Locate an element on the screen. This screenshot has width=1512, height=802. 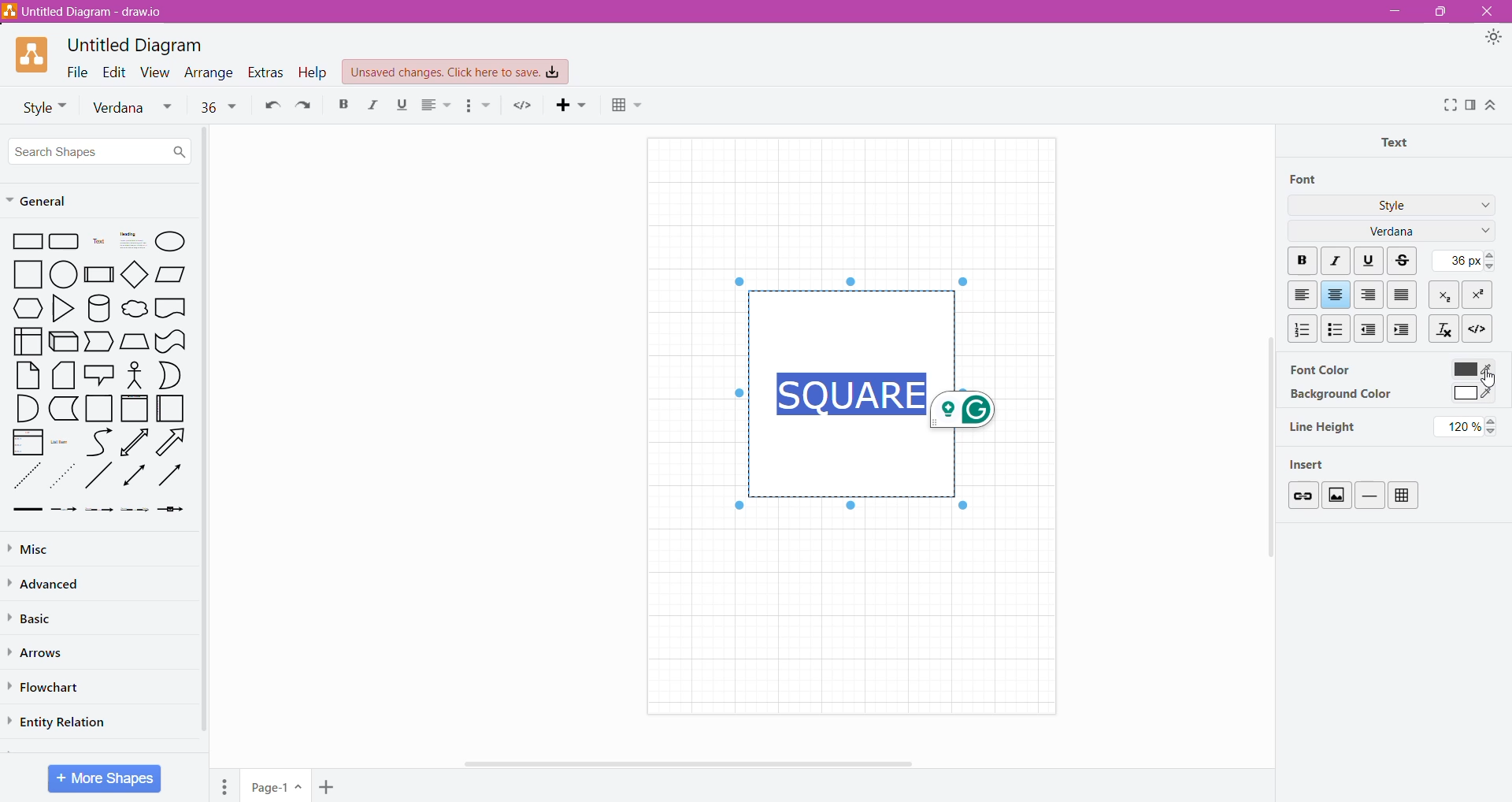
Rectangle grid is located at coordinates (66, 240).